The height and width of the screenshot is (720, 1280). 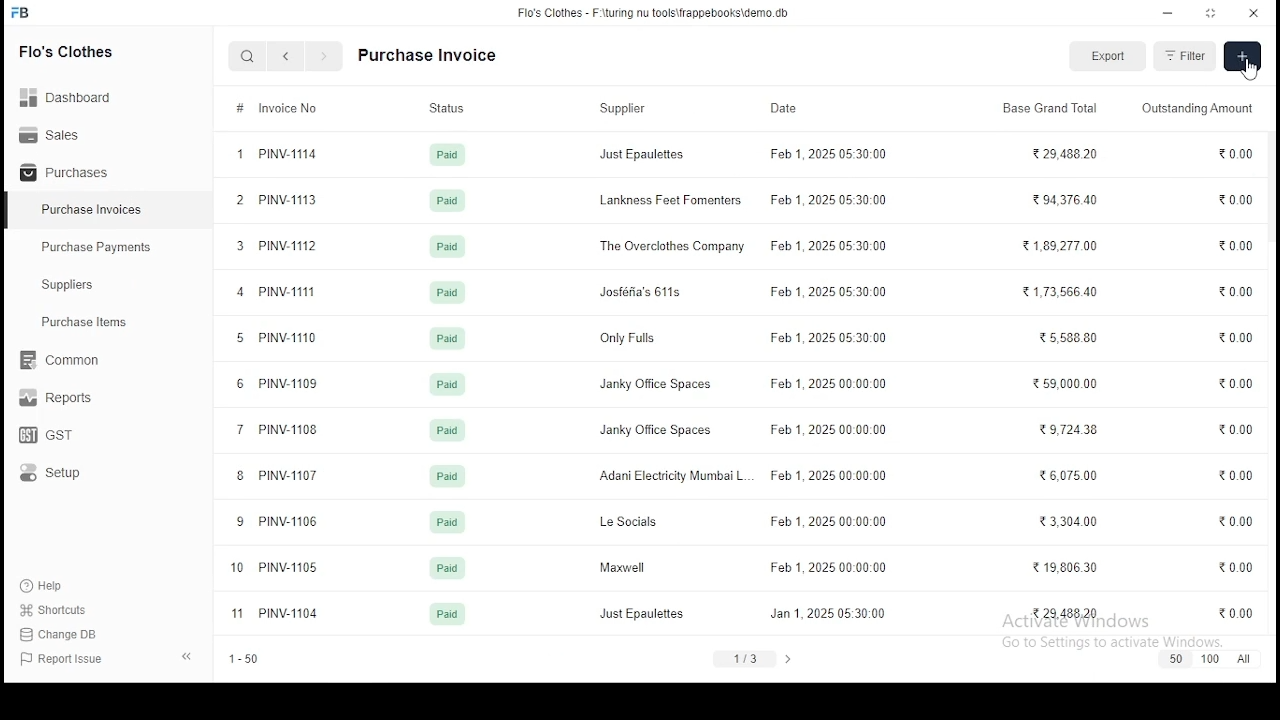 I want to click on 0.00, so click(x=1233, y=292).